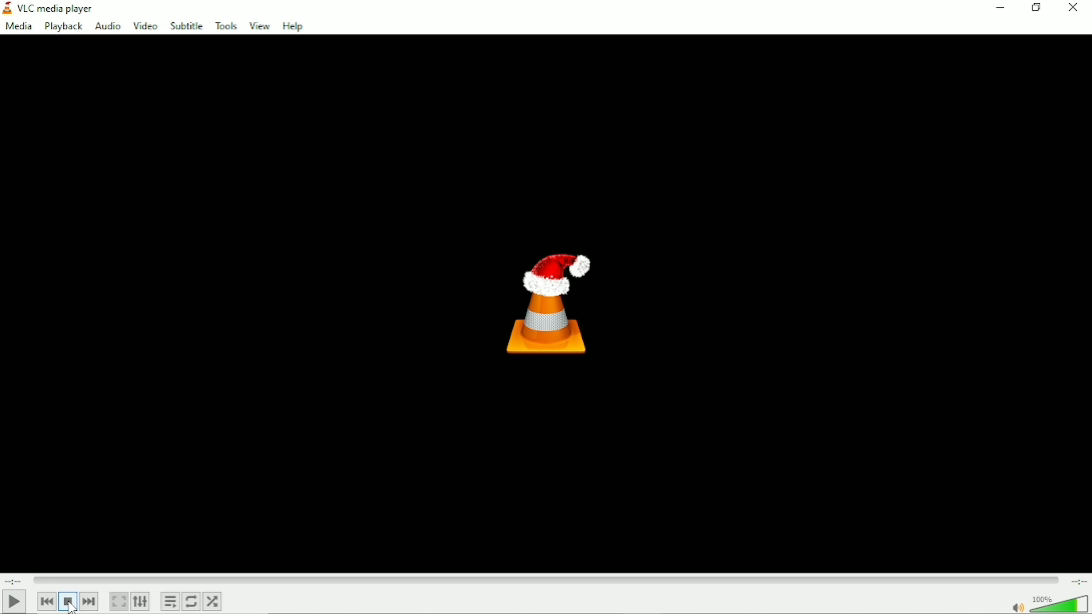 The width and height of the screenshot is (1092, 614). Describe the element at coordinates (7, 8) in the screenshot. I see `application logo` at that location.